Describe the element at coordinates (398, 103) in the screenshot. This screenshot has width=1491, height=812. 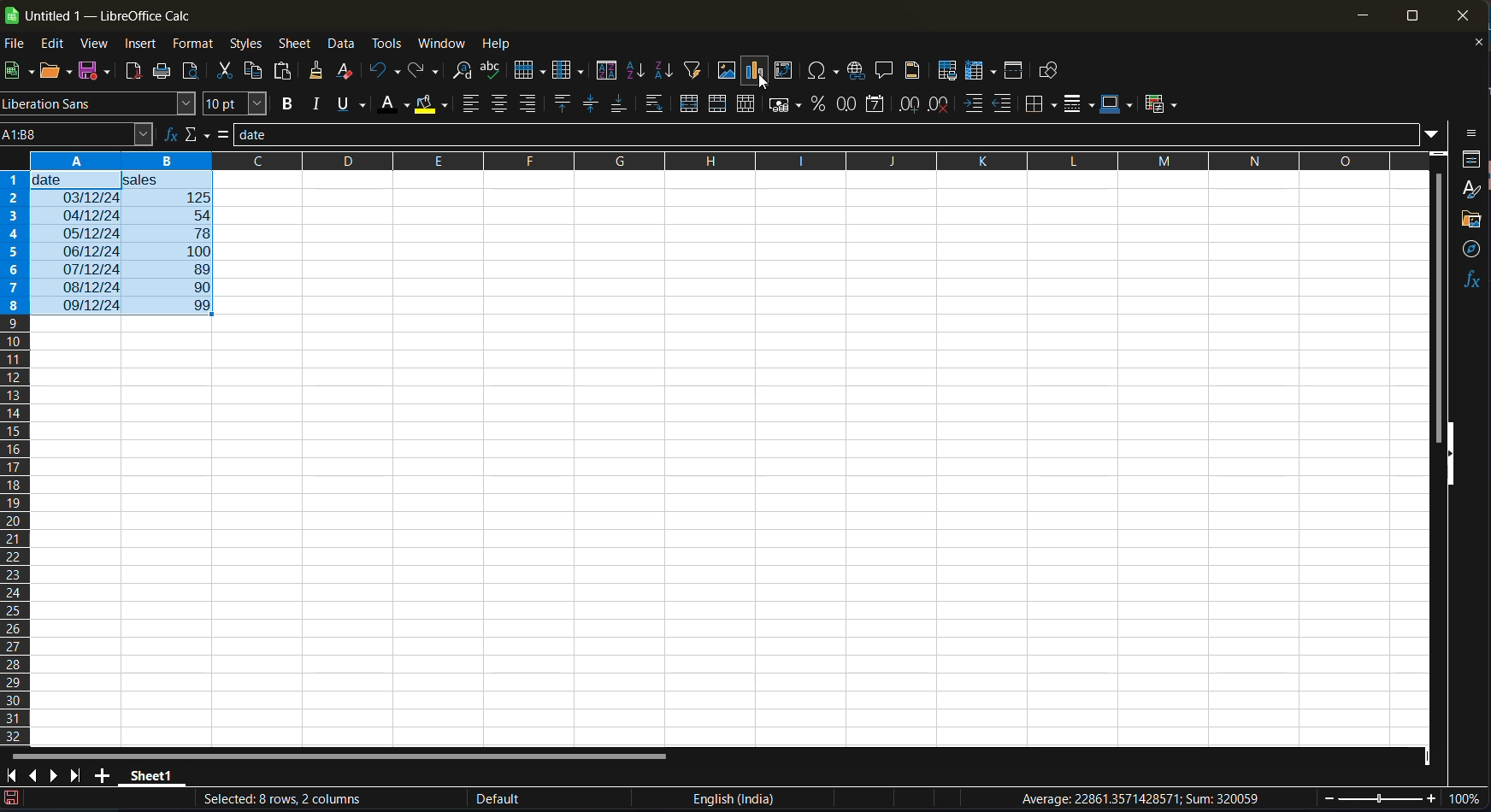
I see `font color` at that location.